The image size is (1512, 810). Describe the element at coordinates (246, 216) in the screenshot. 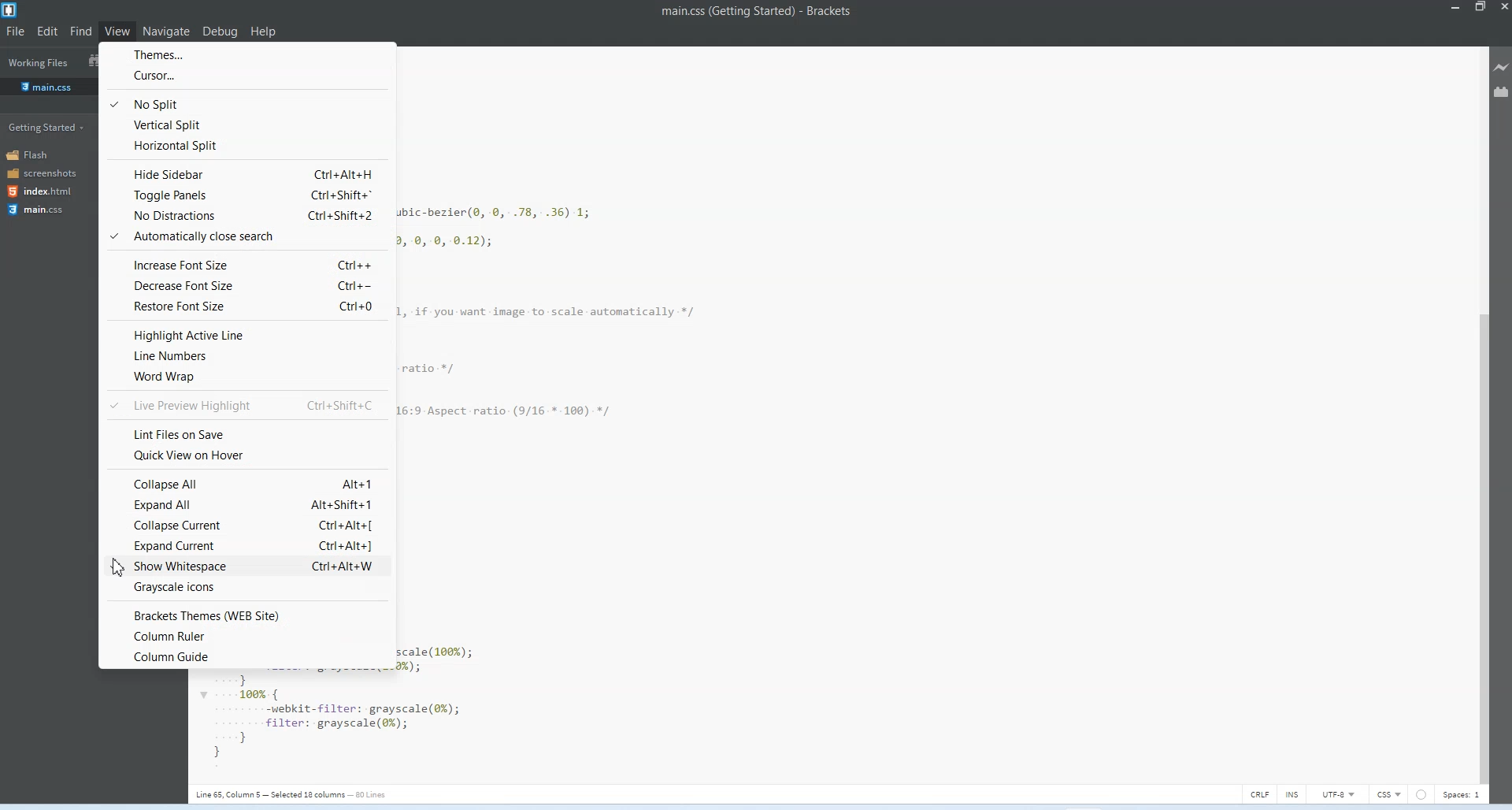

I see `No distractions` at that location.